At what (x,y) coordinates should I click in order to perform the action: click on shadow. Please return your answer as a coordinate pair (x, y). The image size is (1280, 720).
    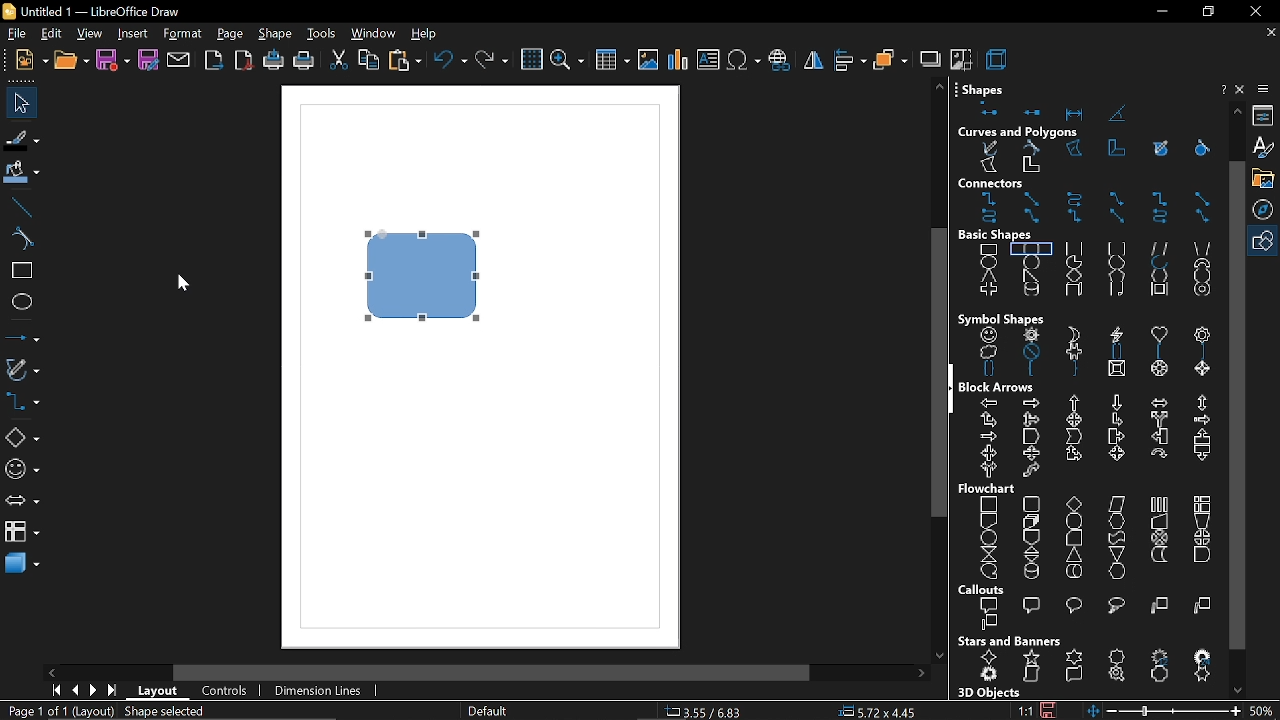
    Looking at the image, I should click on (929, 58).